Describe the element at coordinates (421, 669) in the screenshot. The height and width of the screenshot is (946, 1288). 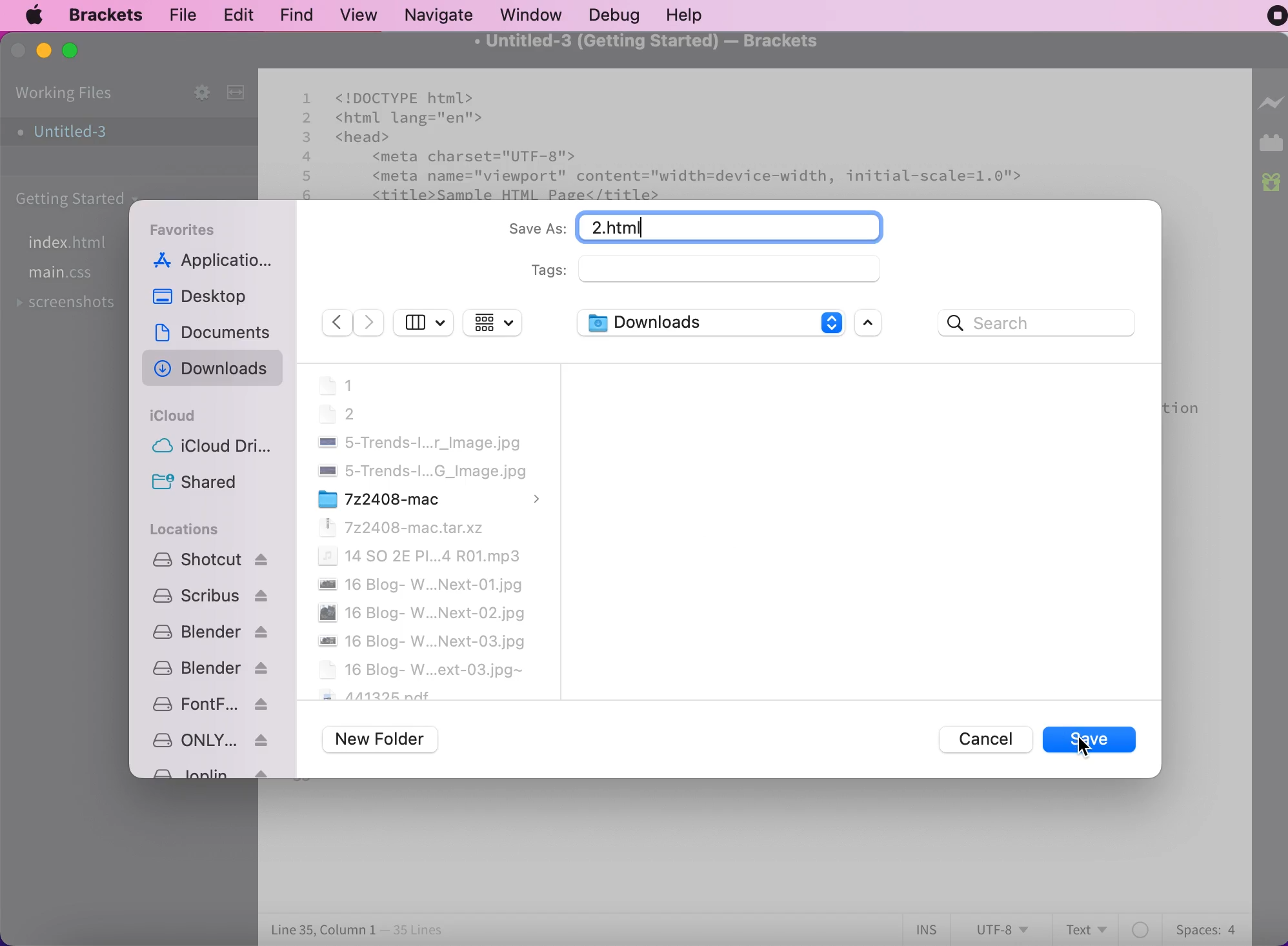
I see `16 Blog-W...ext-03.jpg~` at that location.